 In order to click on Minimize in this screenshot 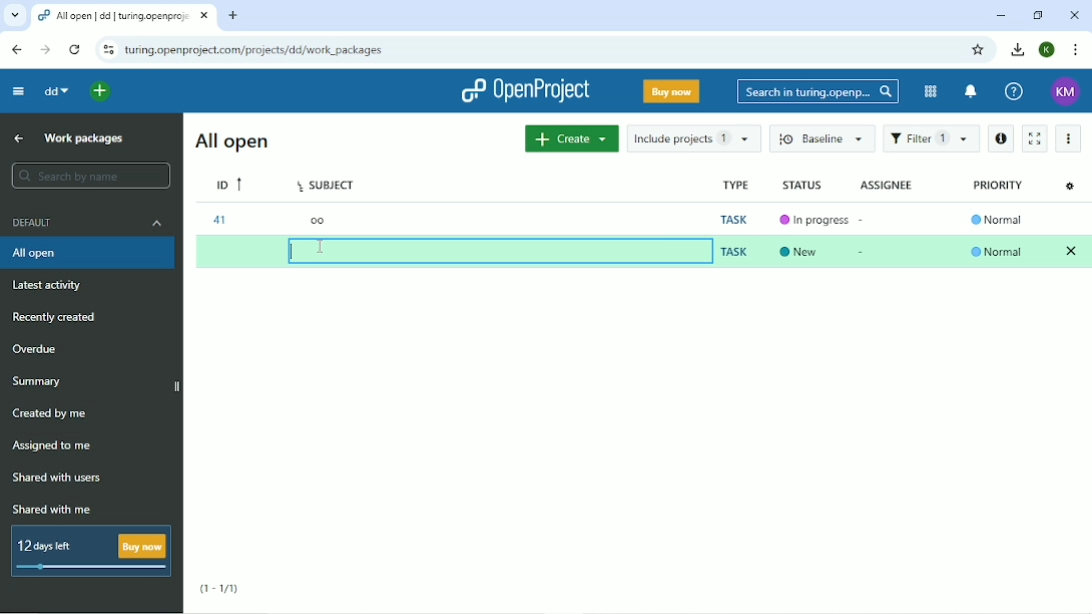, I will do `click(1001, 15)`.